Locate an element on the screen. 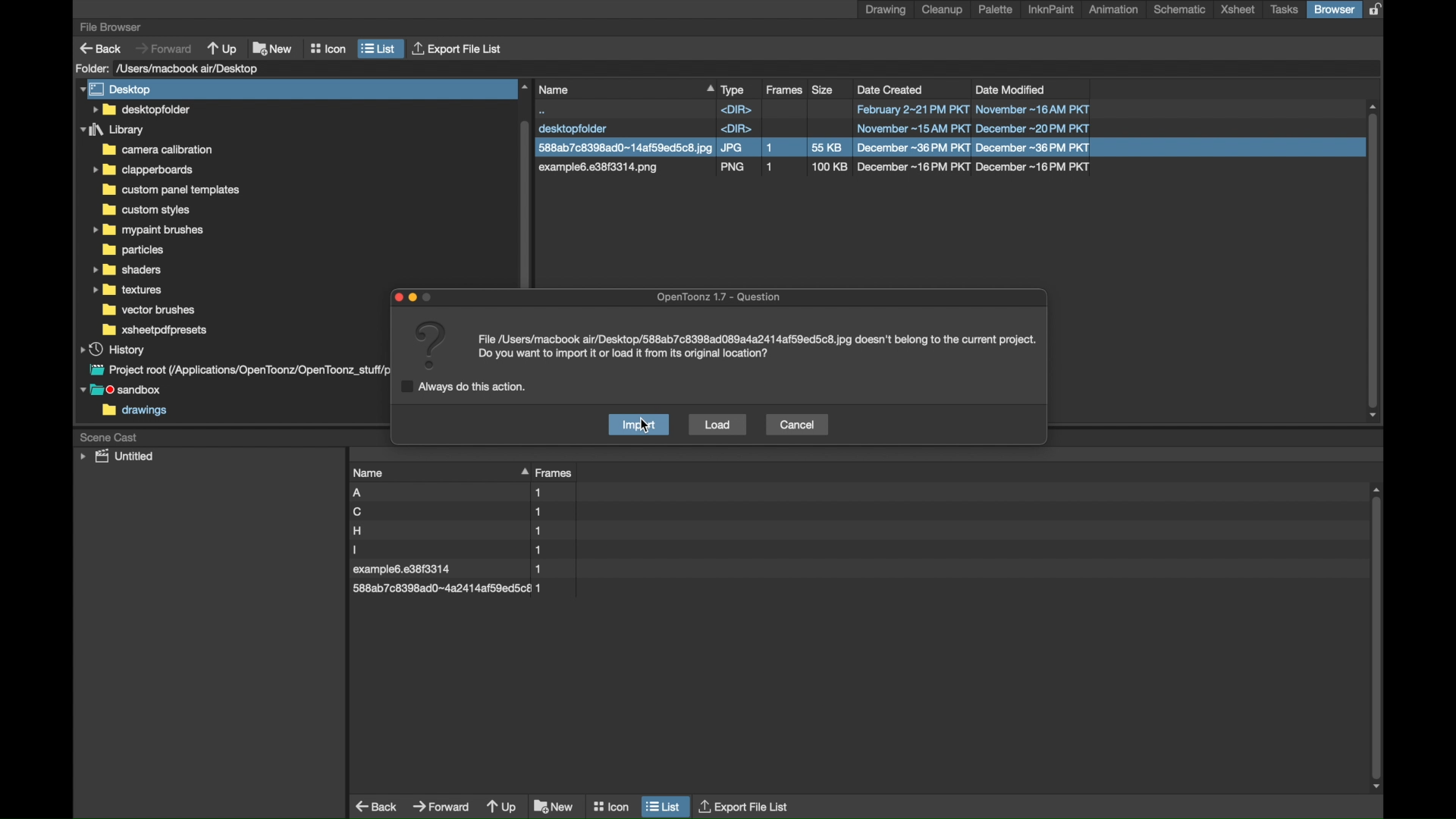 The height and width of the screenshot is (819, 1456). folder is located at coordinates (140, 109).